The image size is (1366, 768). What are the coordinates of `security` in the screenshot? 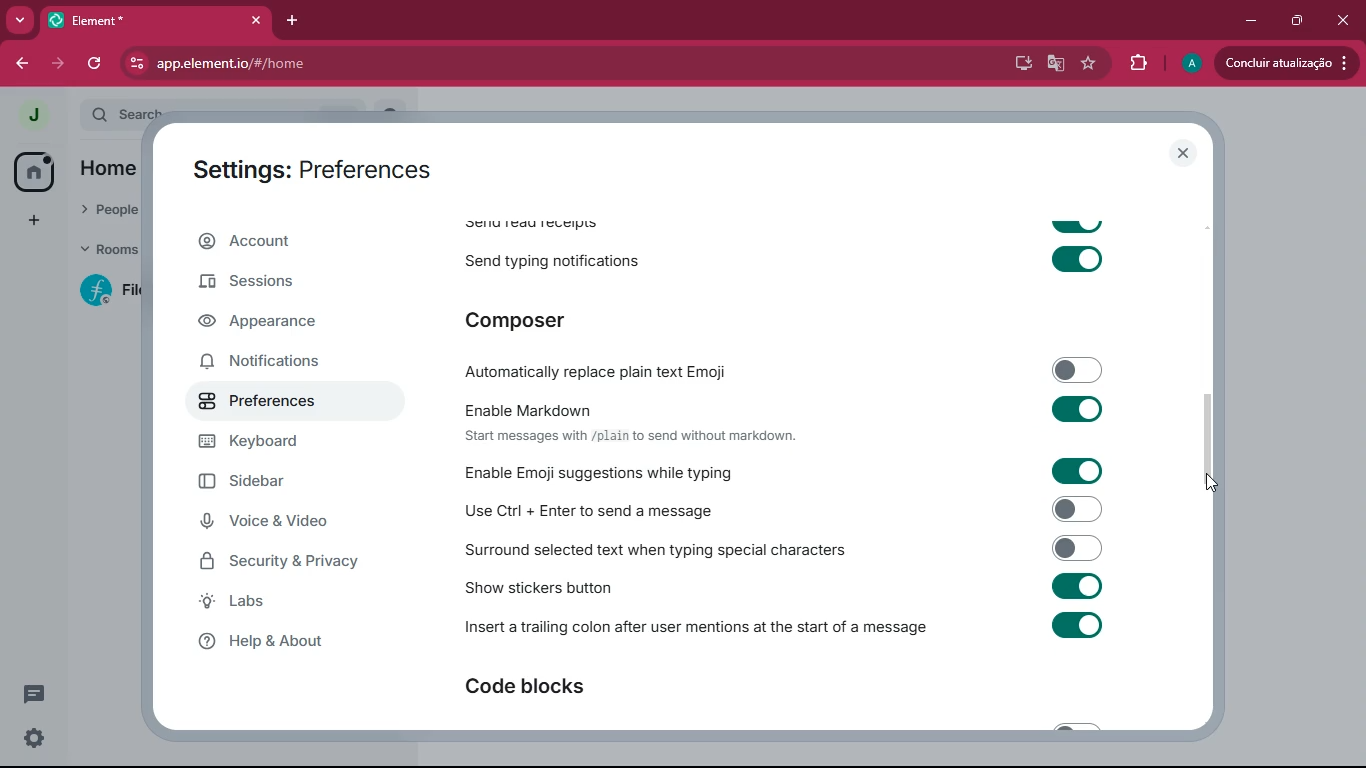 It's located at (297, 563).